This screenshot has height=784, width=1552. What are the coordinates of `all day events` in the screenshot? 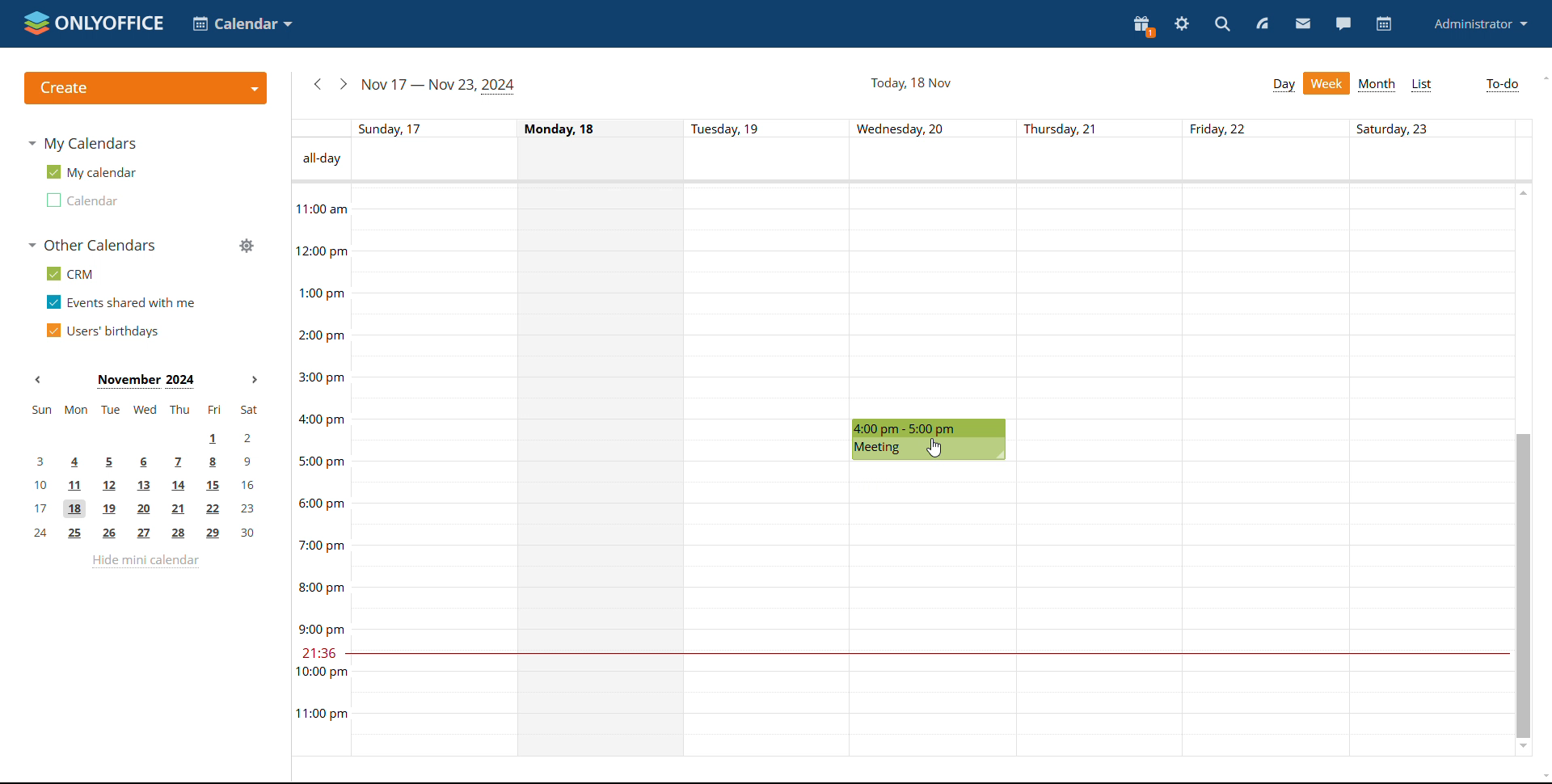 It's located at (941, 159).